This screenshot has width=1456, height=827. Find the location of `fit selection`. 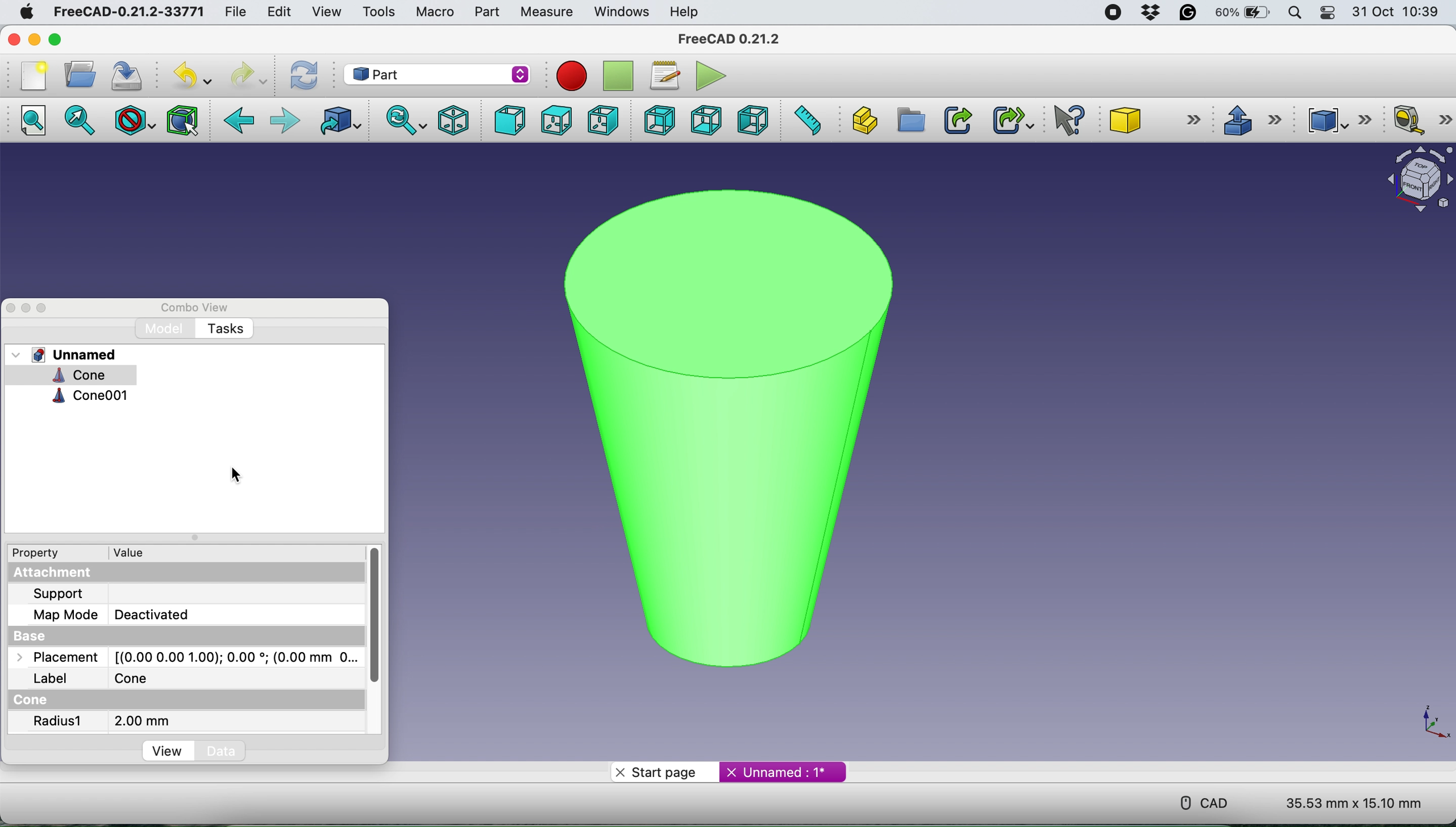

fit selection is located at coordinates (83, 121).